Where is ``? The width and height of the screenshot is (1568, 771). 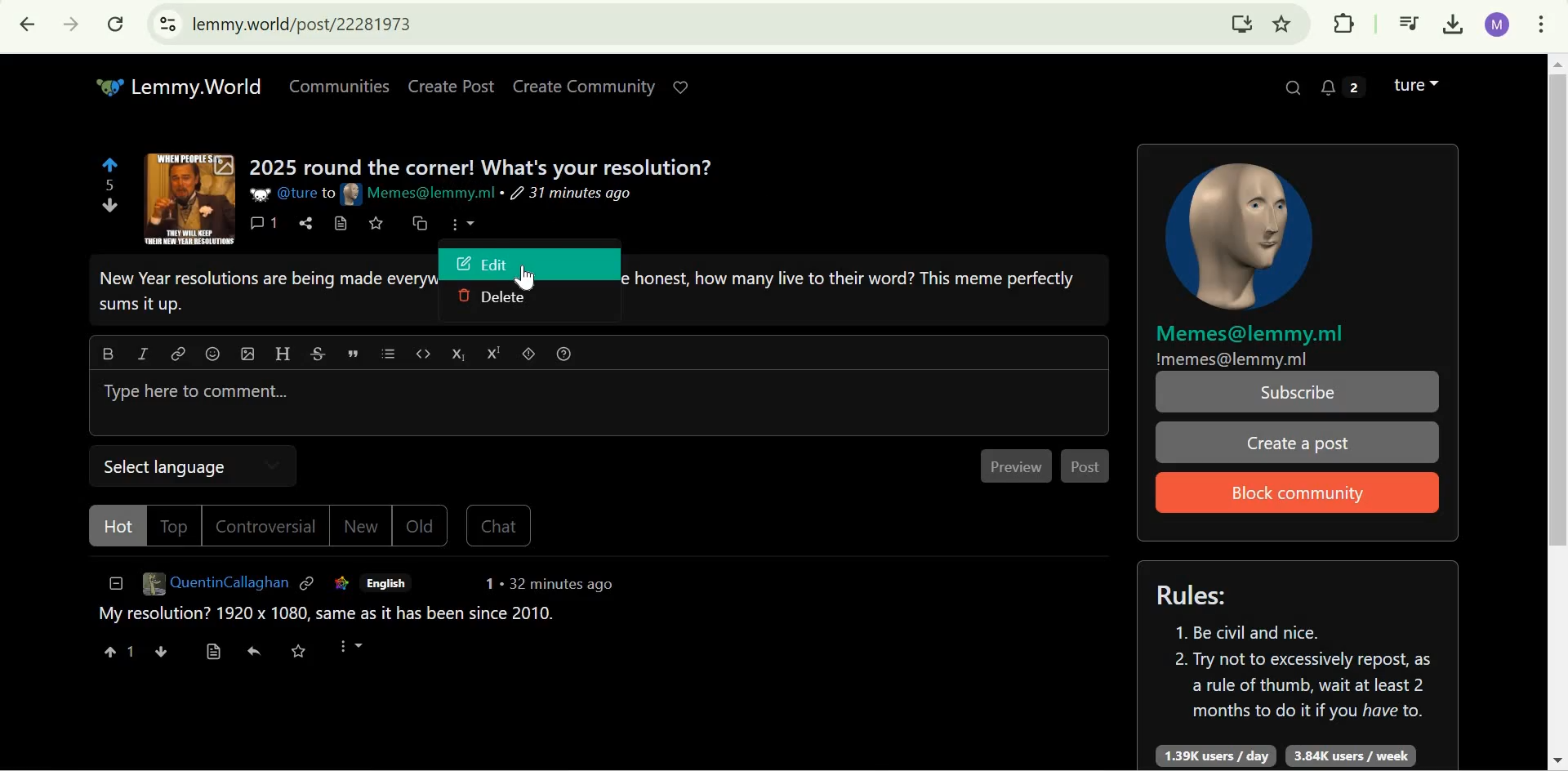  is located at coordinates (106, 85).